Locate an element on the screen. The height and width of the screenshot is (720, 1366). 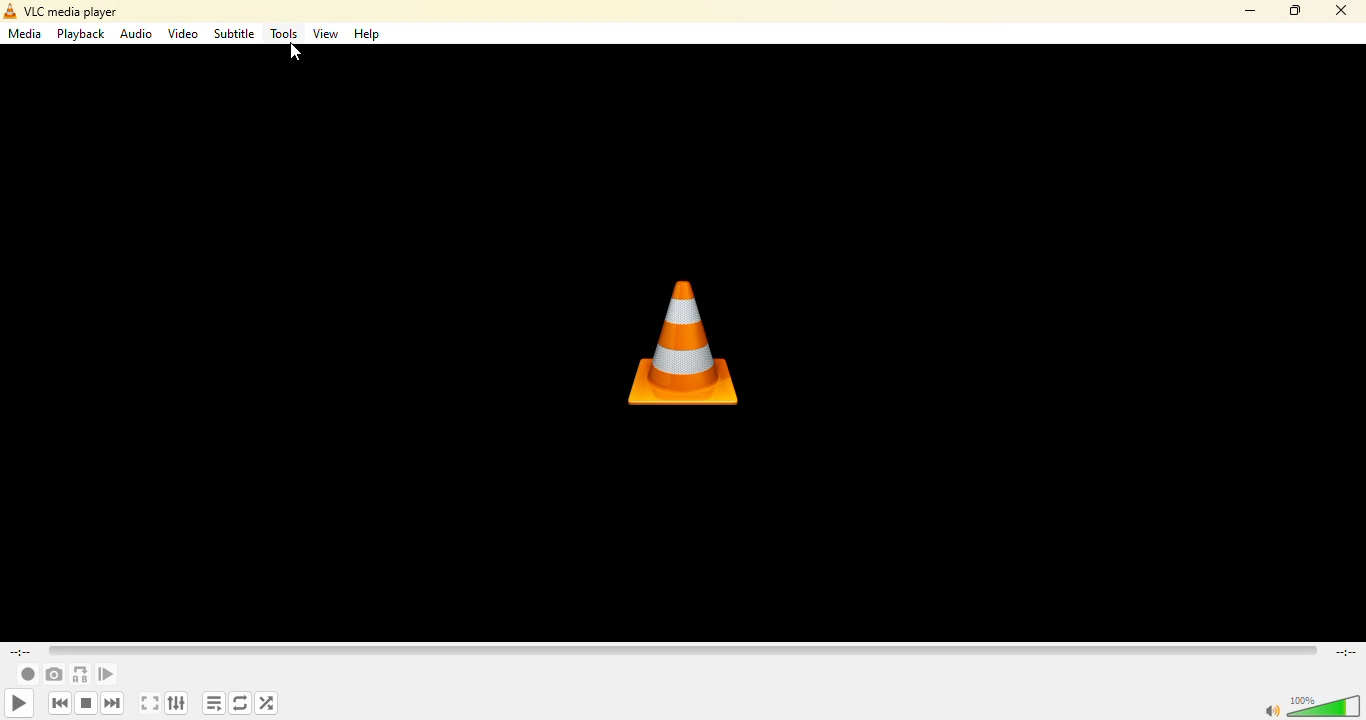
toggle playlist is located at coordinates (213, 703).